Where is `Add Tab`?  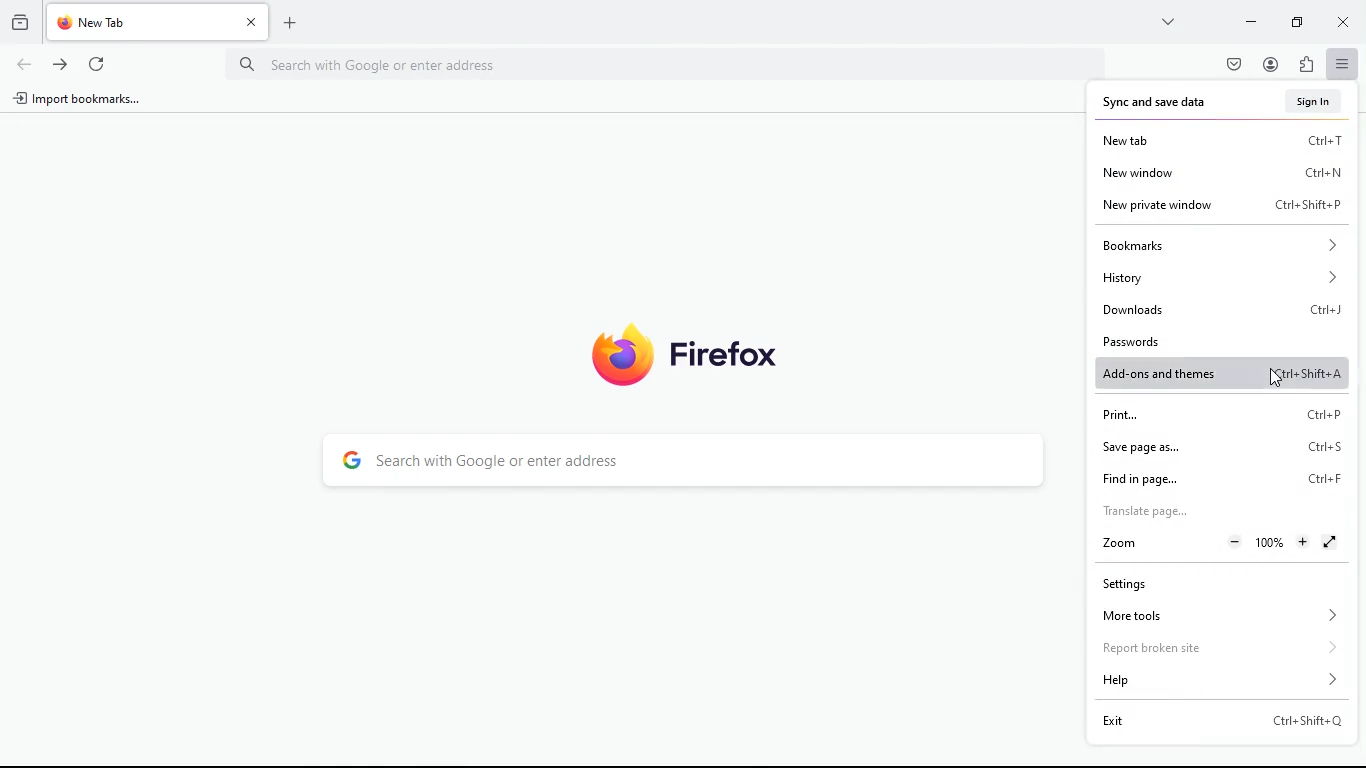 Add Tab is located at coordinates (289, 23).